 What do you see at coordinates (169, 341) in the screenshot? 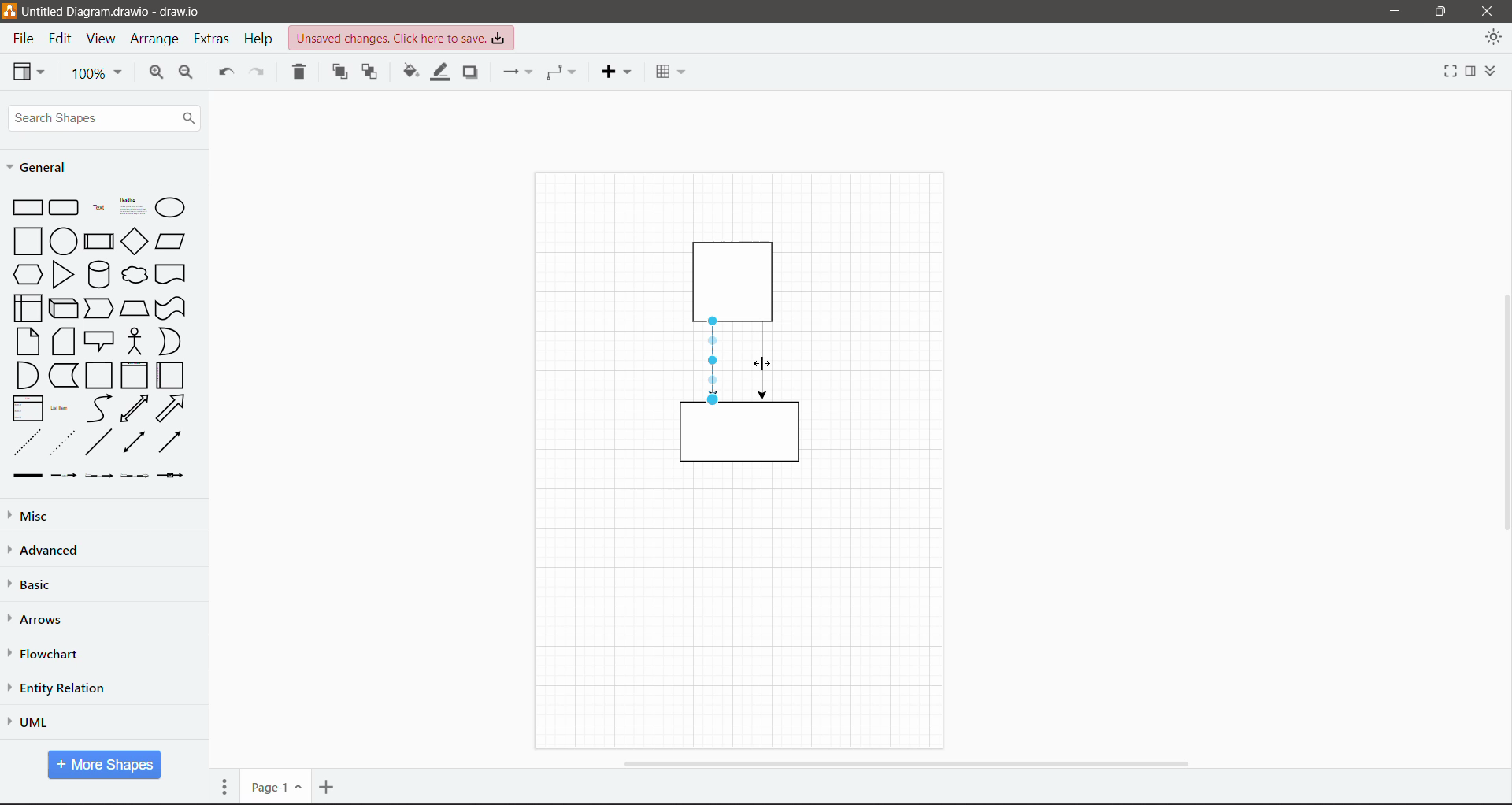
I see `Or` at bounding box center [169, 341].